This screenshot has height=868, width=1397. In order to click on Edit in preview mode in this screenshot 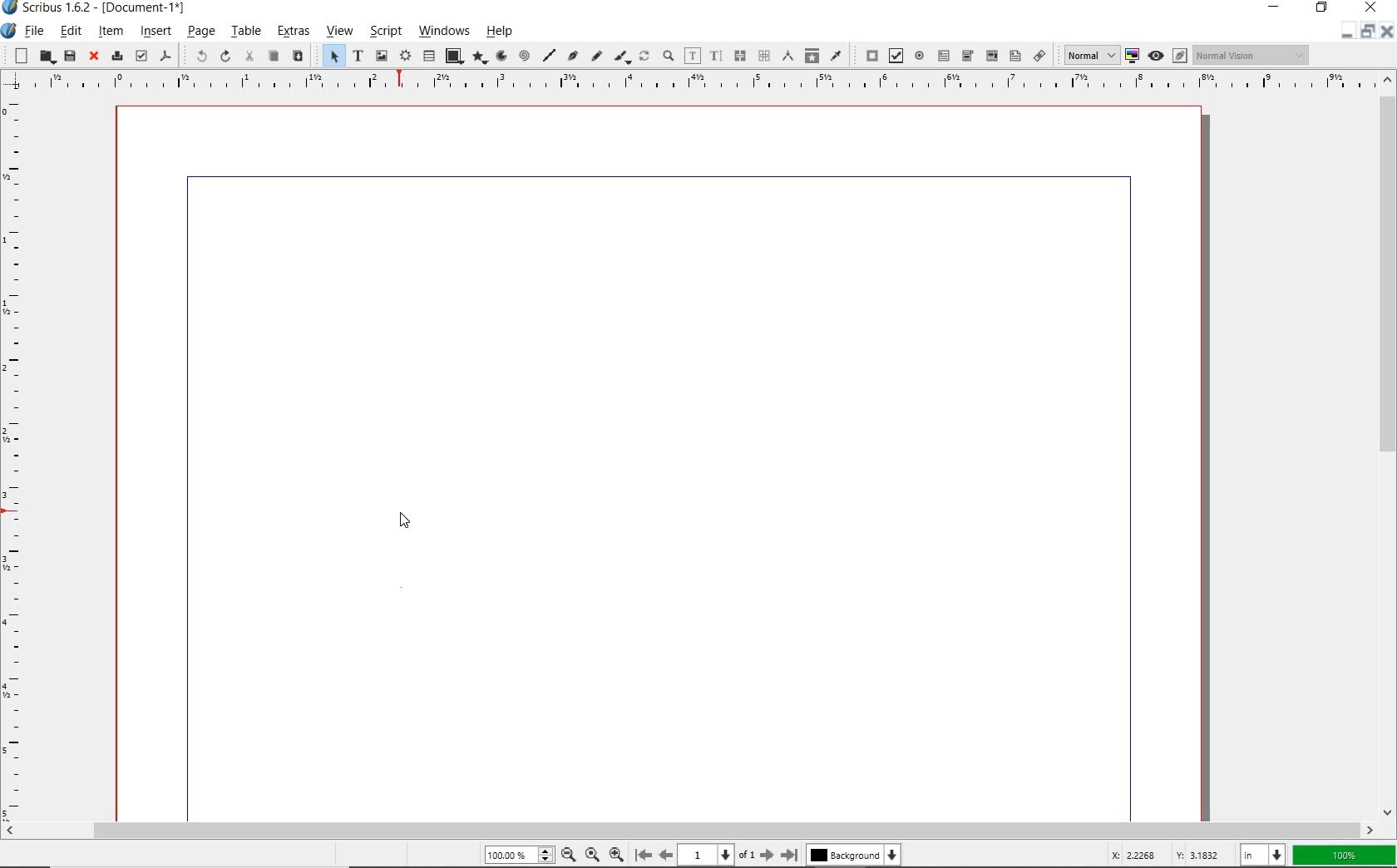, I will do `click(1179, 57)`.